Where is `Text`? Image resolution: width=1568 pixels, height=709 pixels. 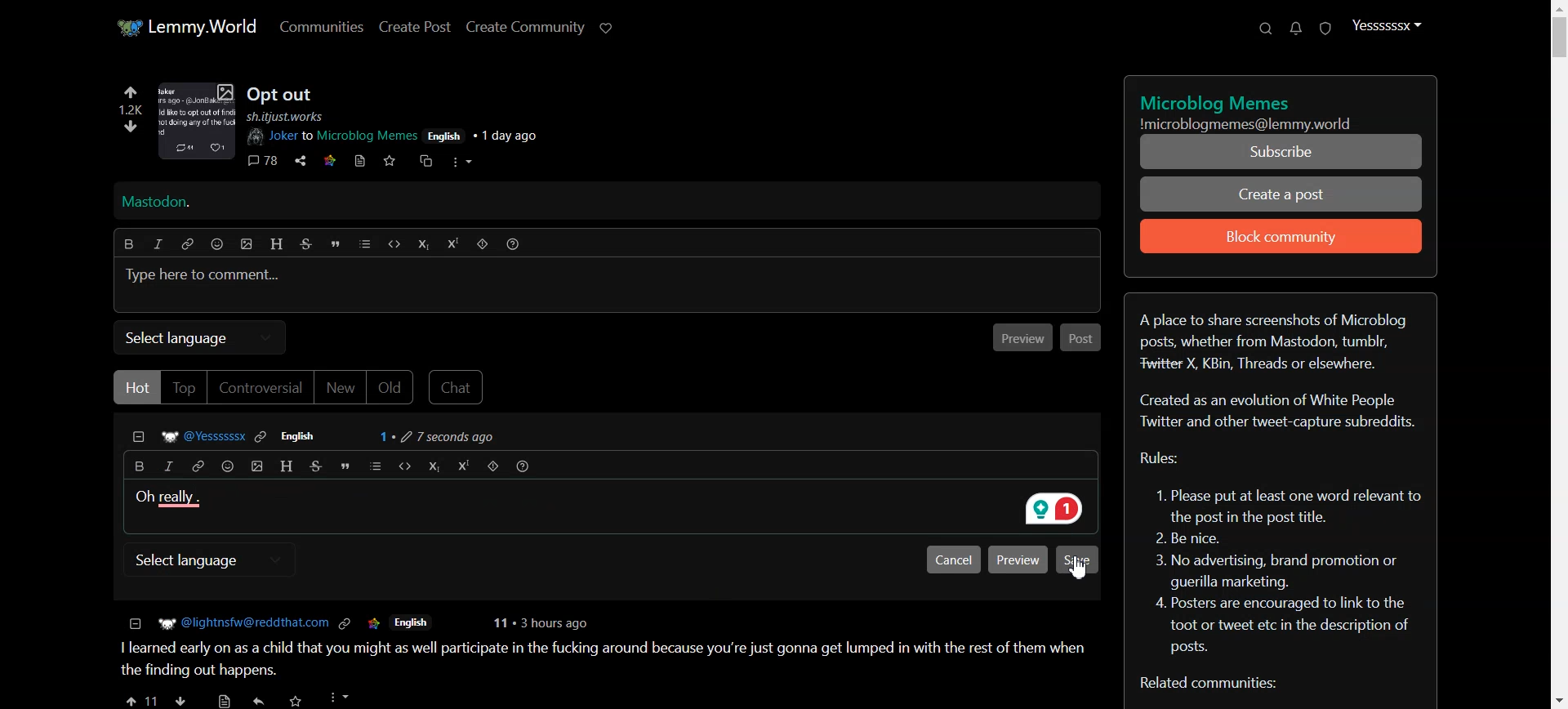 Text is located at coordinates (167, 497).